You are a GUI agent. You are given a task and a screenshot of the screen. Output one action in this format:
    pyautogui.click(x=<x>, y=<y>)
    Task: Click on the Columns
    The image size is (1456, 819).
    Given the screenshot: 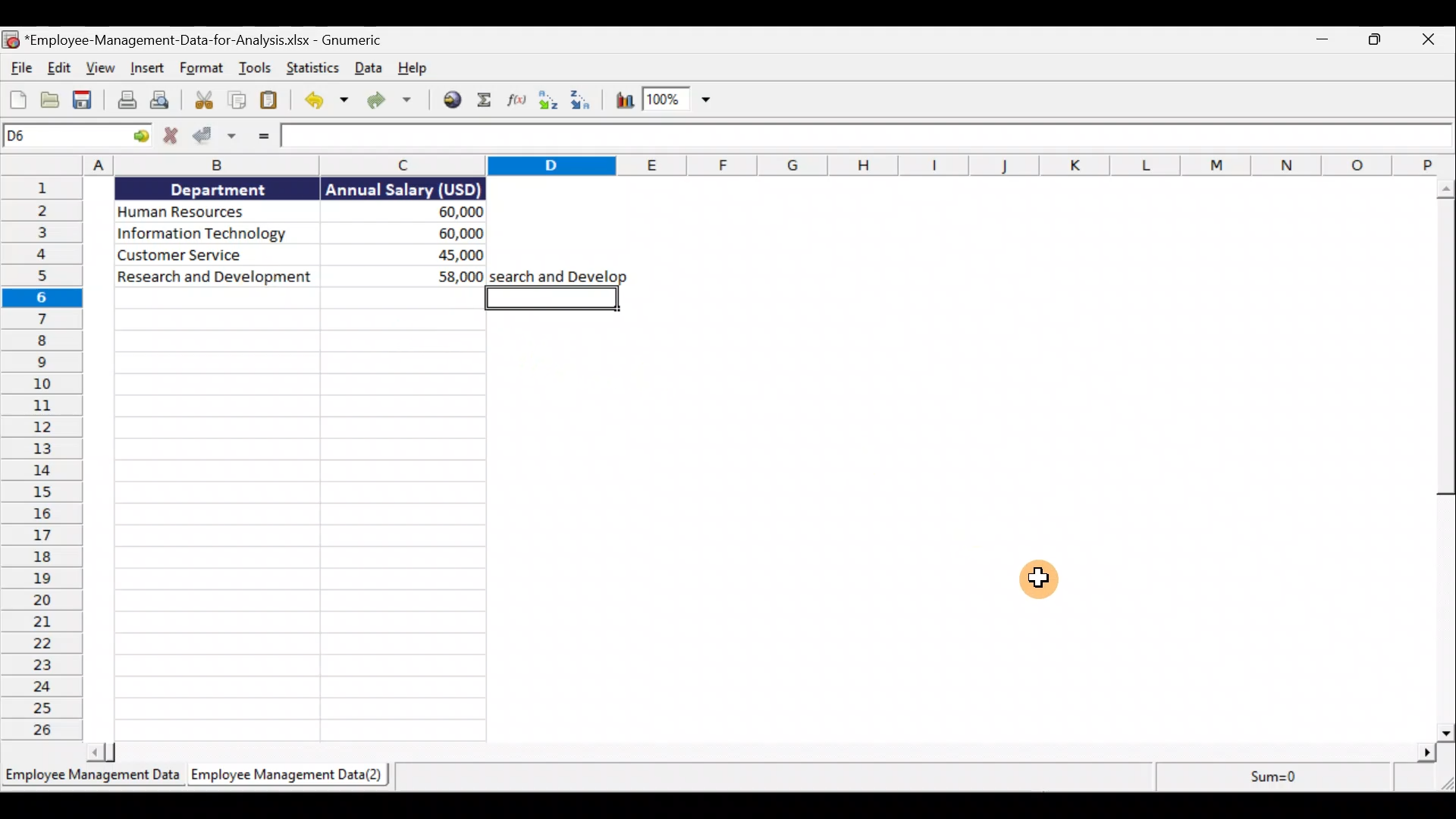 What is the action you would take?
    pyautogui.click(x=731, y=166)
    